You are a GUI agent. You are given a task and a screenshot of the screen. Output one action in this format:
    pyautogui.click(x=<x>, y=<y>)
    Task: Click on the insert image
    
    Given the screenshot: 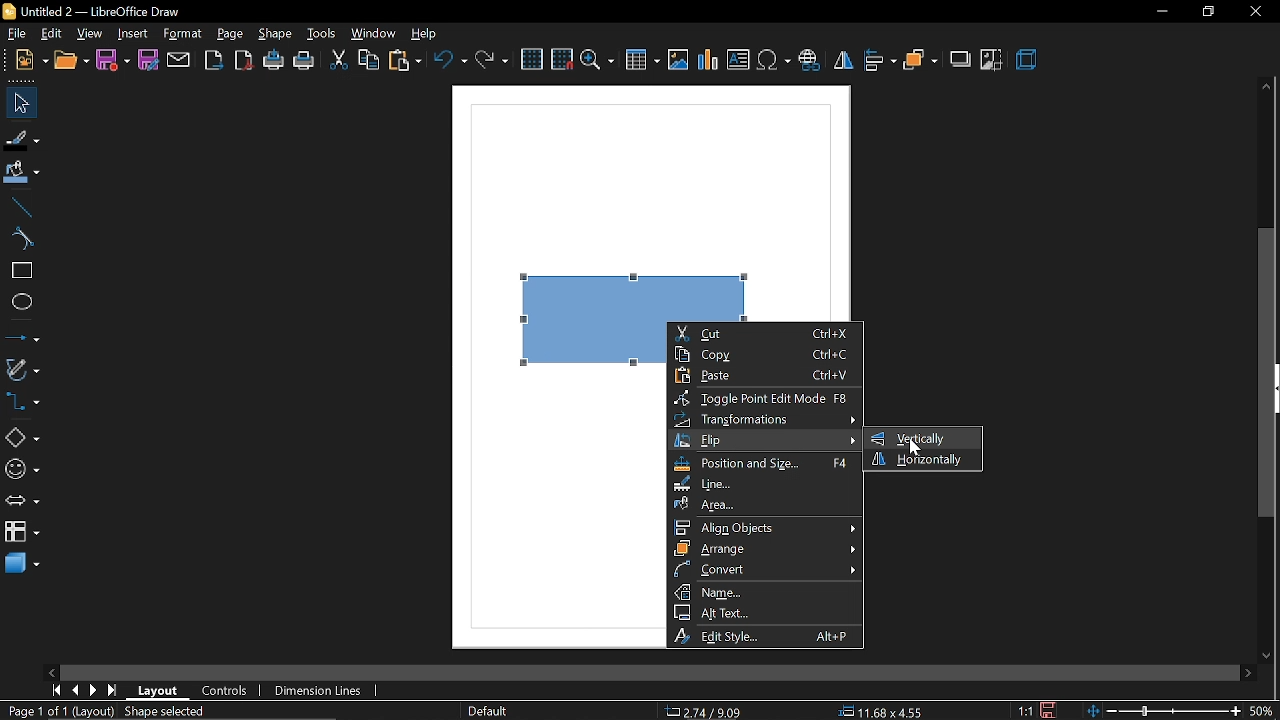 What is the action you would take?
    pyautogui.click(x=678, y=63)
    